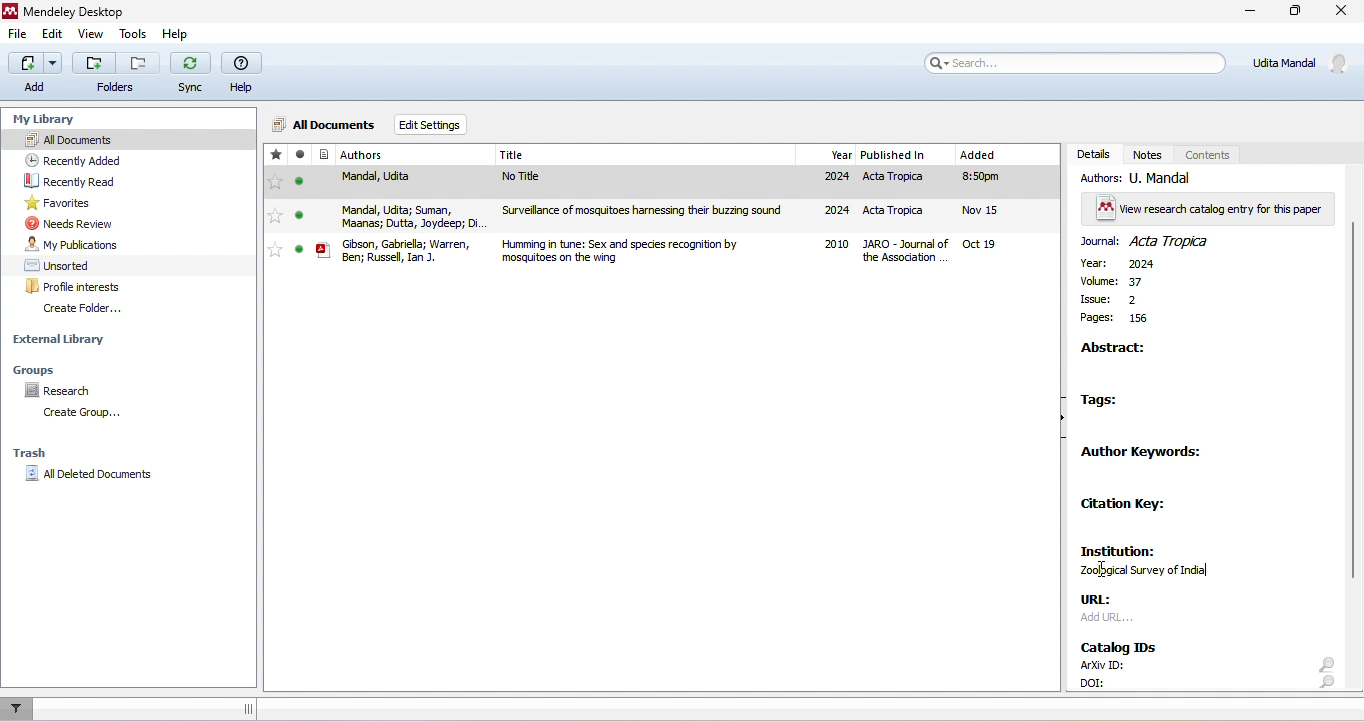  Describe the element at coordinates (33, 453) in the screenshot. I see `trash` at that location.